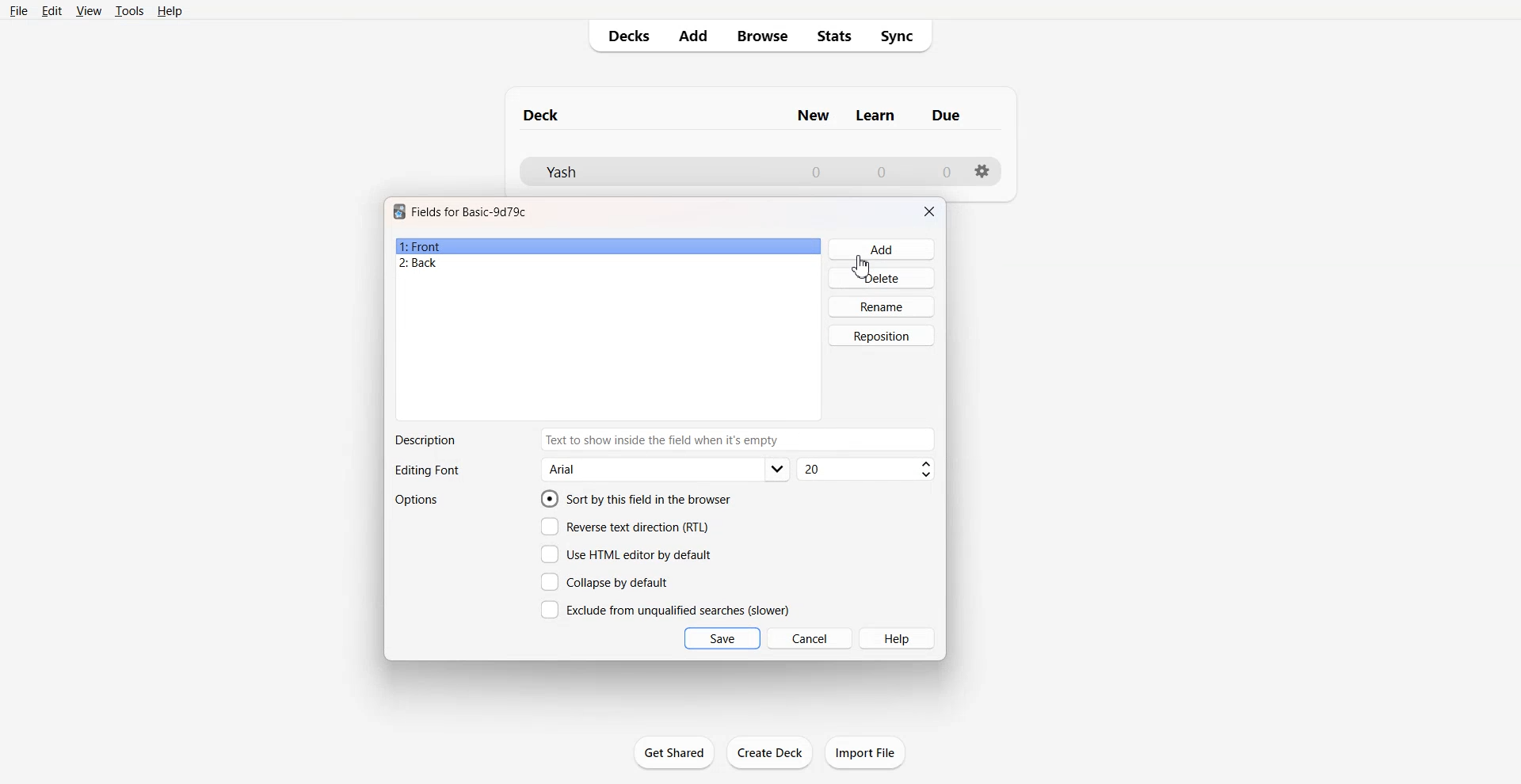  What do you see at coordinates (882, 249) in the screenshot?
I see `Add` at bounding box center [882, 249].